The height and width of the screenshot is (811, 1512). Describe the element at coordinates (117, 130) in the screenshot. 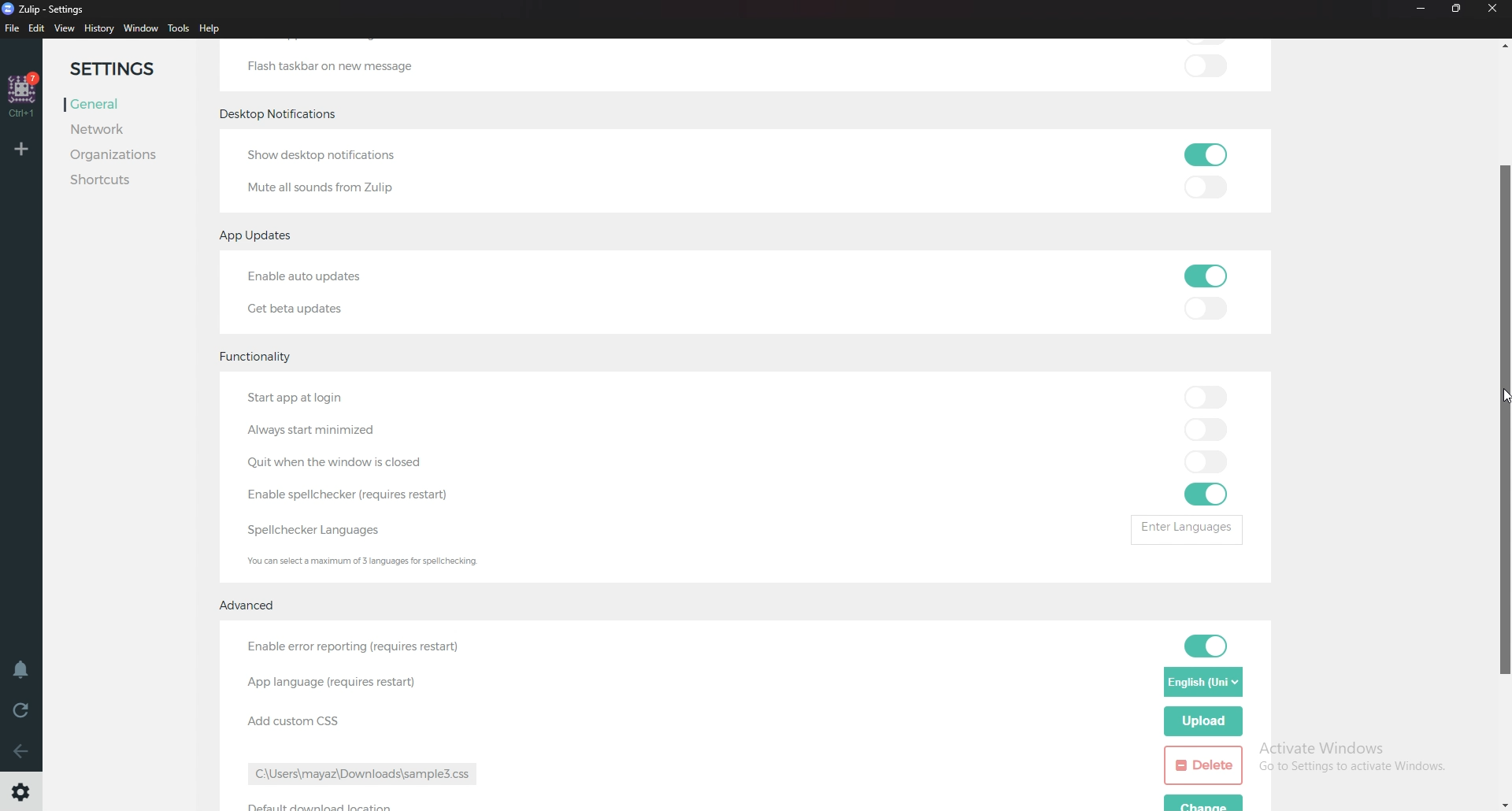

I see `Network` at that location.